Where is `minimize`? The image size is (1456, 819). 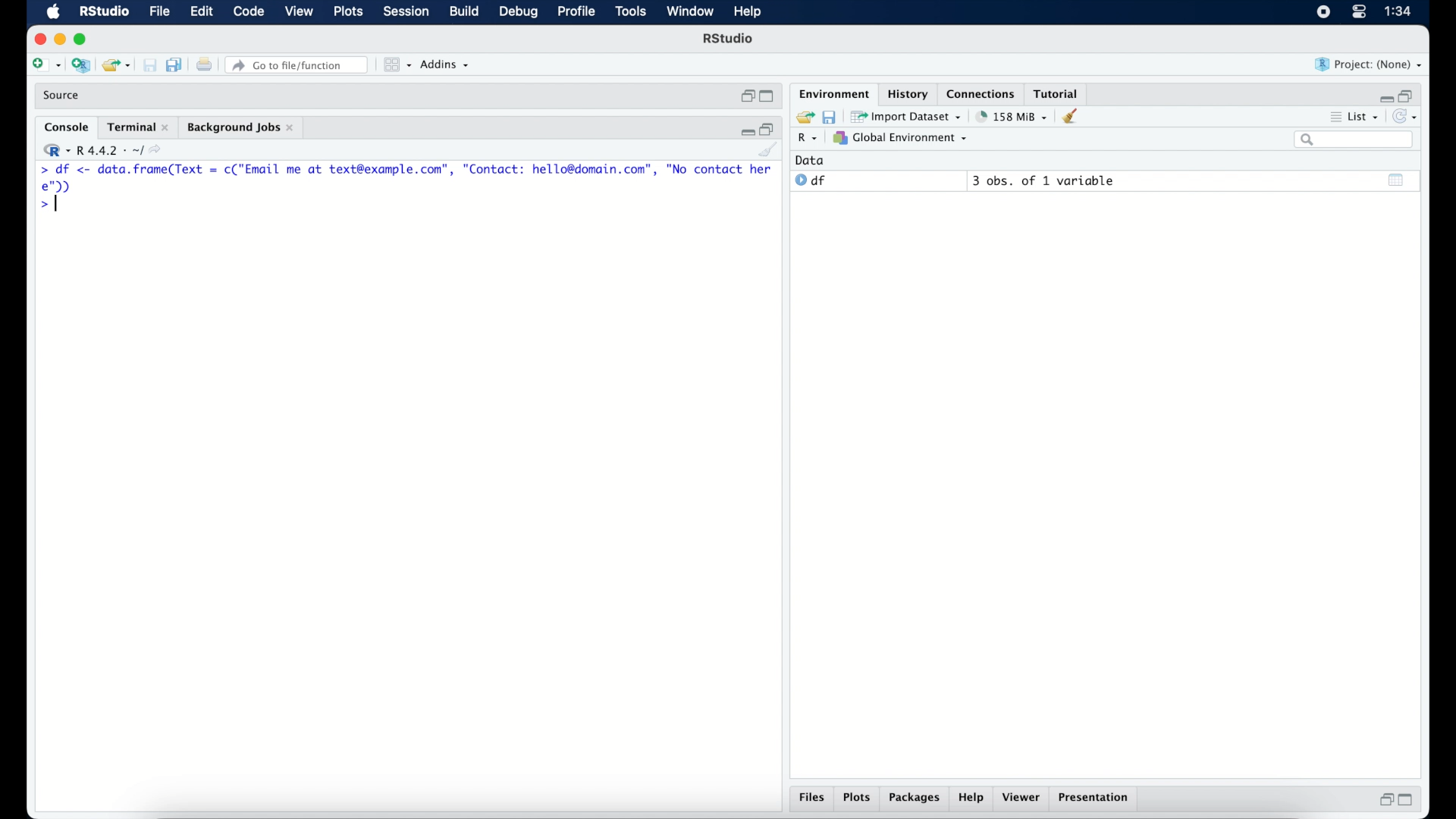
minimize is located at coordinates (745, 131).